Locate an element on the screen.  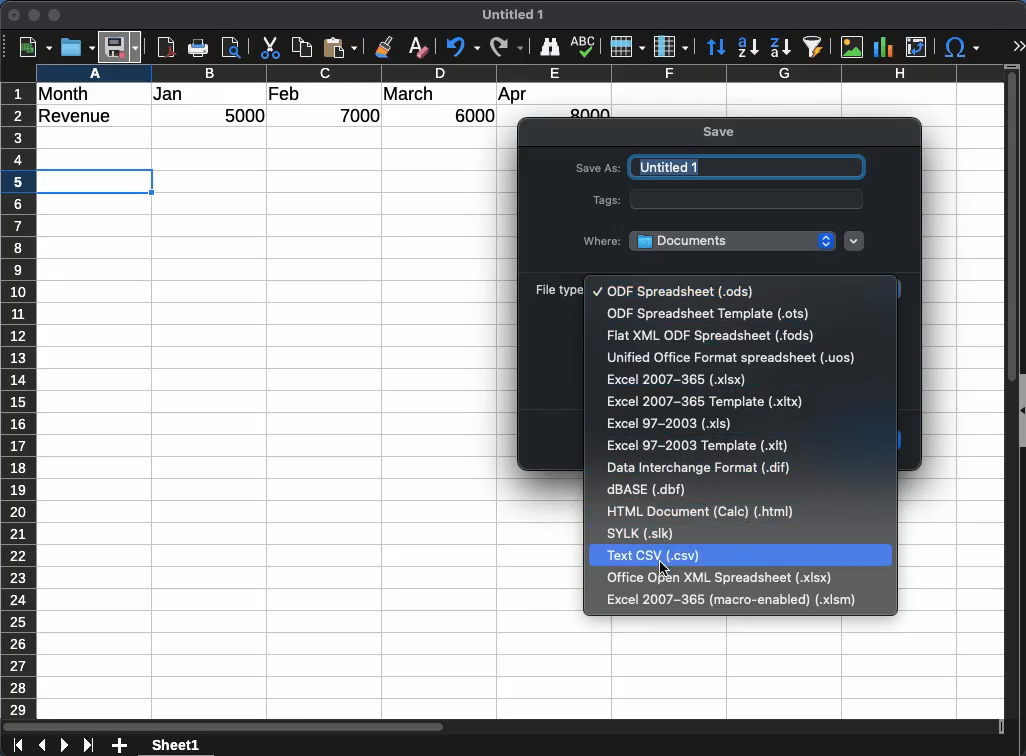
office open XML spreadsheet is located at coordinates (723, 577).